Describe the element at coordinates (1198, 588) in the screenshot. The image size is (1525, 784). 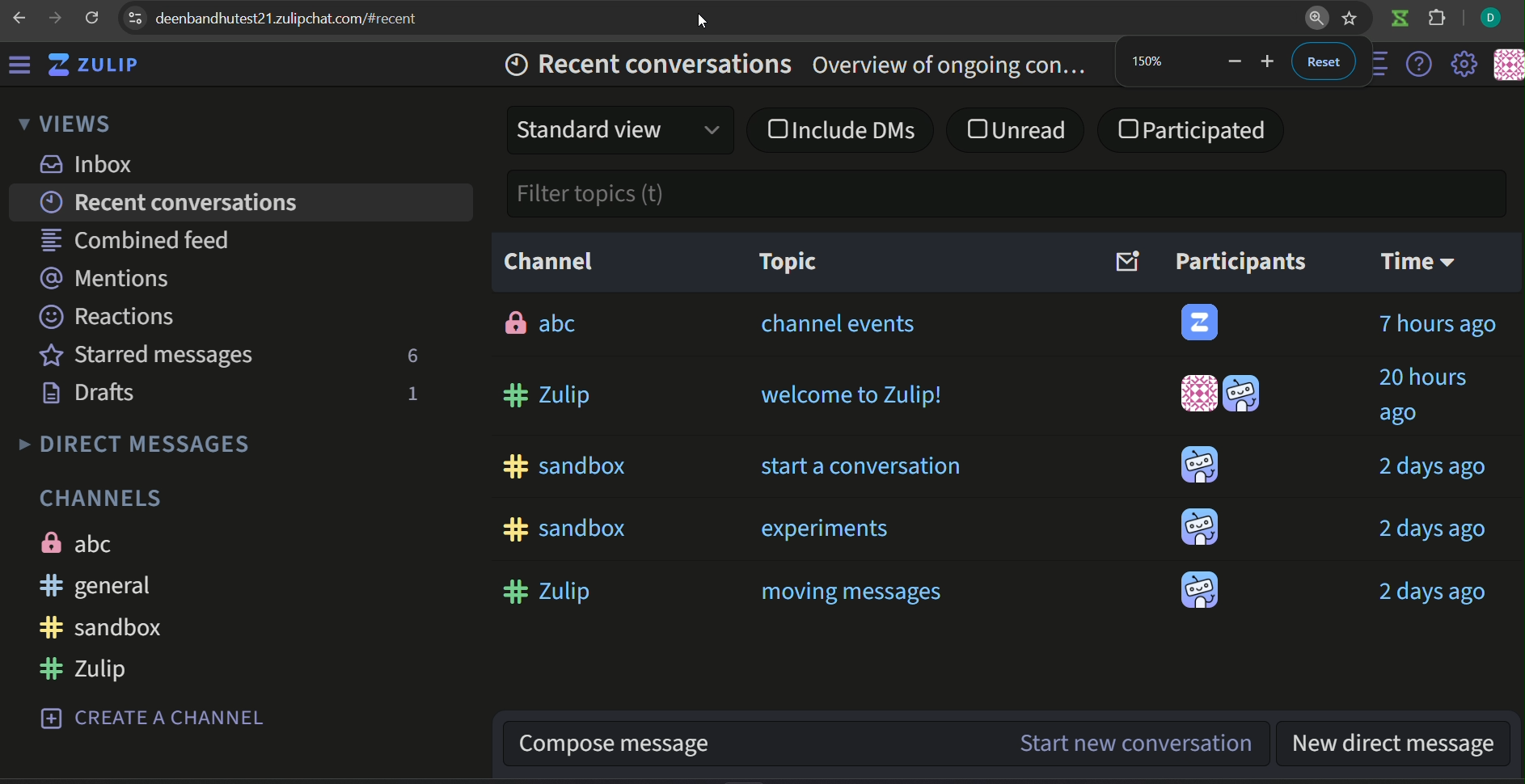
I see `icon` at that location.